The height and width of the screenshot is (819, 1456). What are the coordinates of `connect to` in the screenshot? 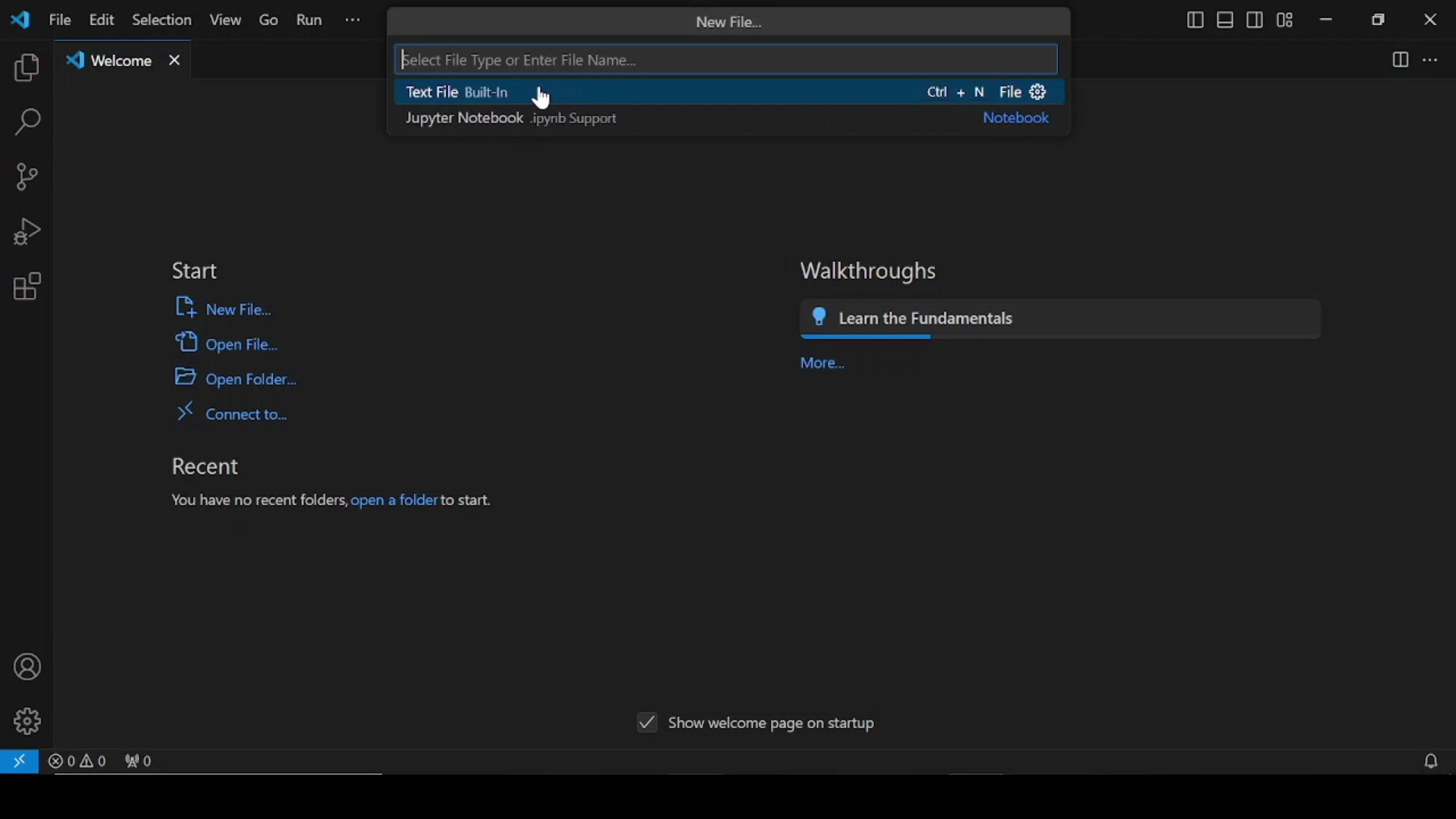 It's located at (231, 412).